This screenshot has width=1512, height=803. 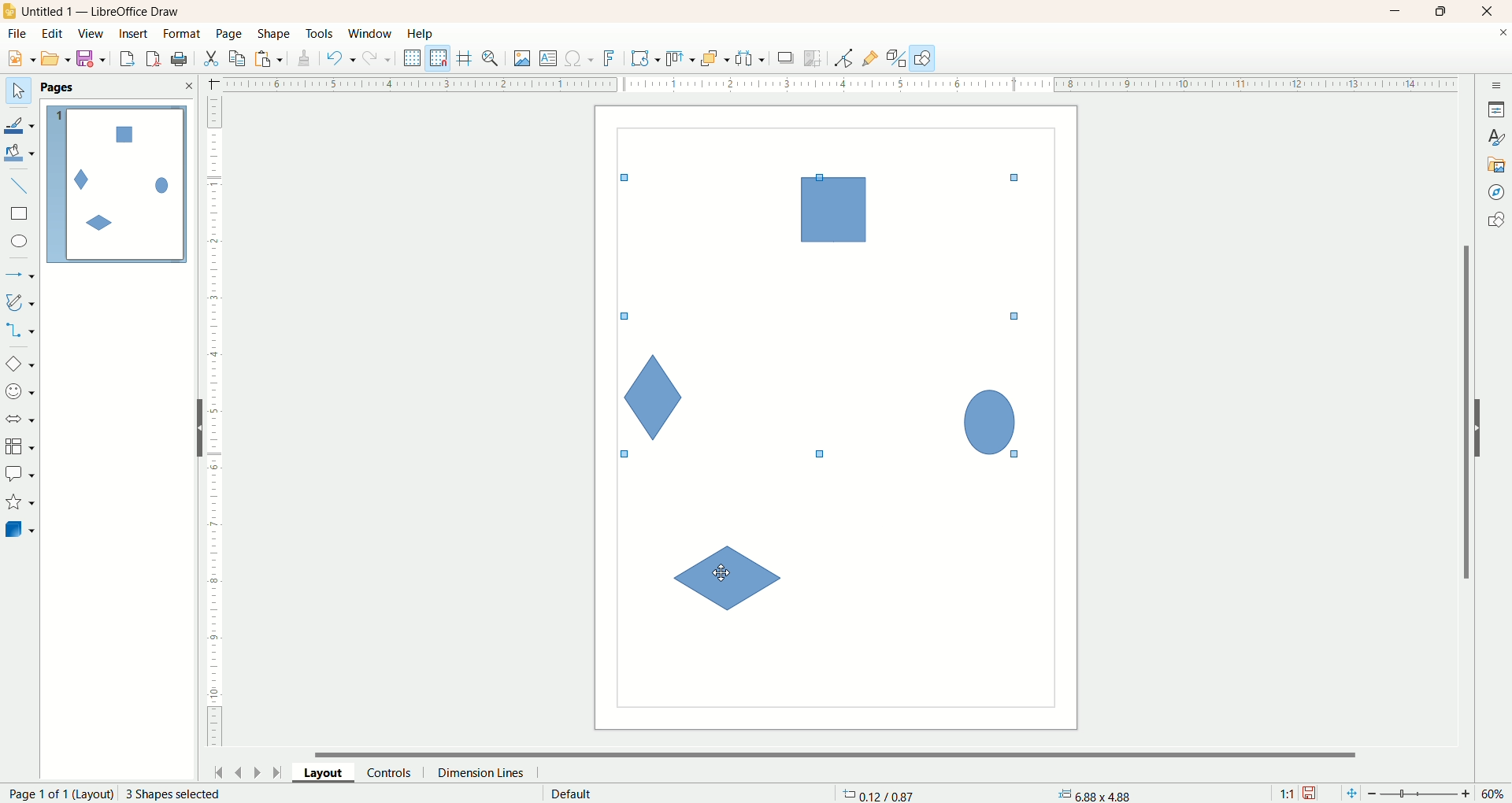 What do you see at coordinates (845, 753) in the screenshot?
I see `horizontal scroll bar` at bounding box center [845, 753].